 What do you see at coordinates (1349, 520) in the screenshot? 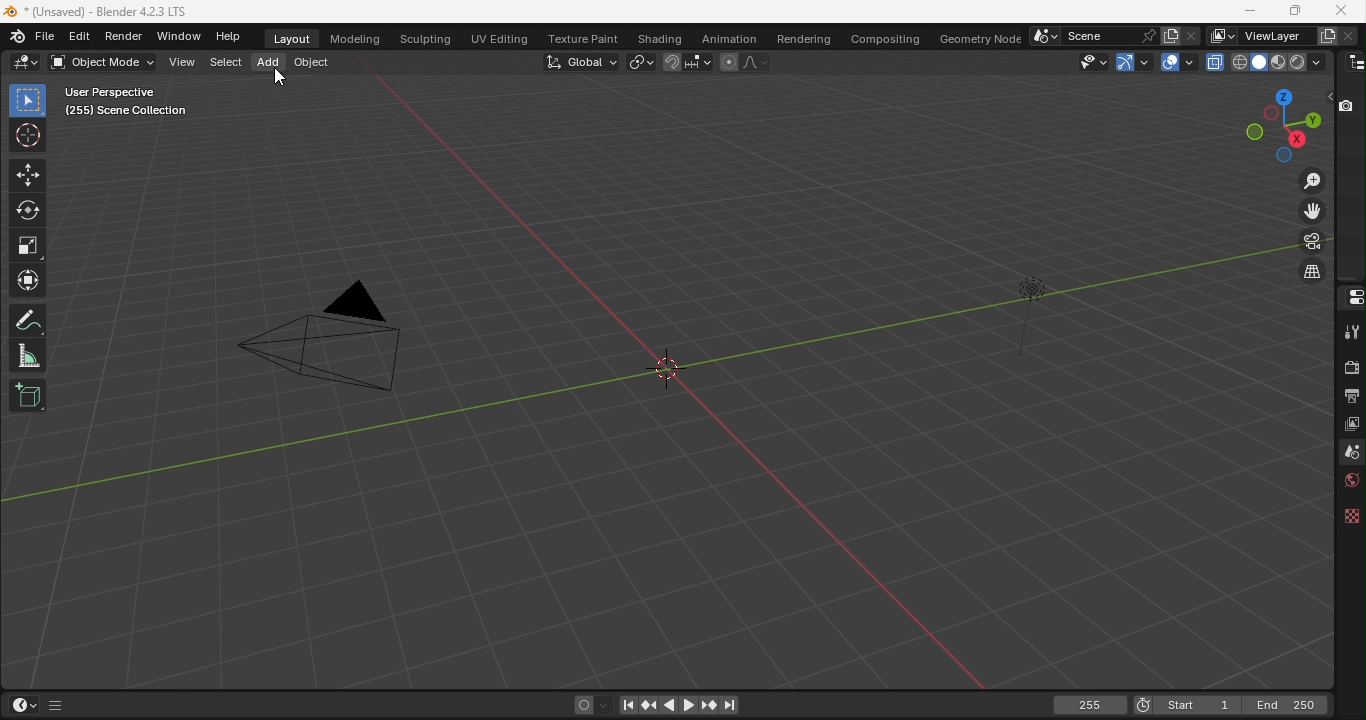
I see `Texture` at bounding box center [1349, 520].